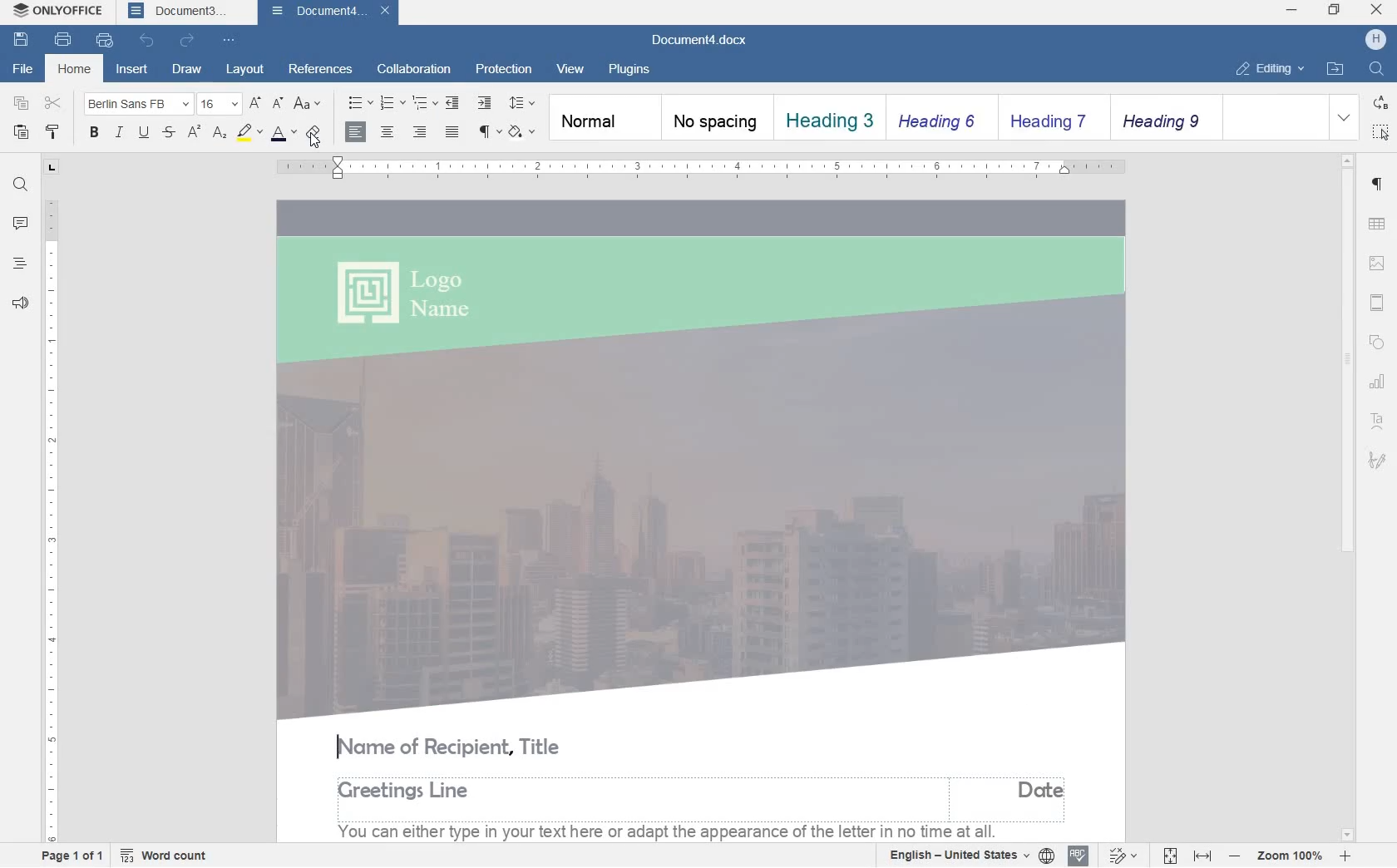 This screenshot has height=868, width=1397. Describe the element at coordinates (278, 103) in the screenshot. I see `decrement font size` at that location.